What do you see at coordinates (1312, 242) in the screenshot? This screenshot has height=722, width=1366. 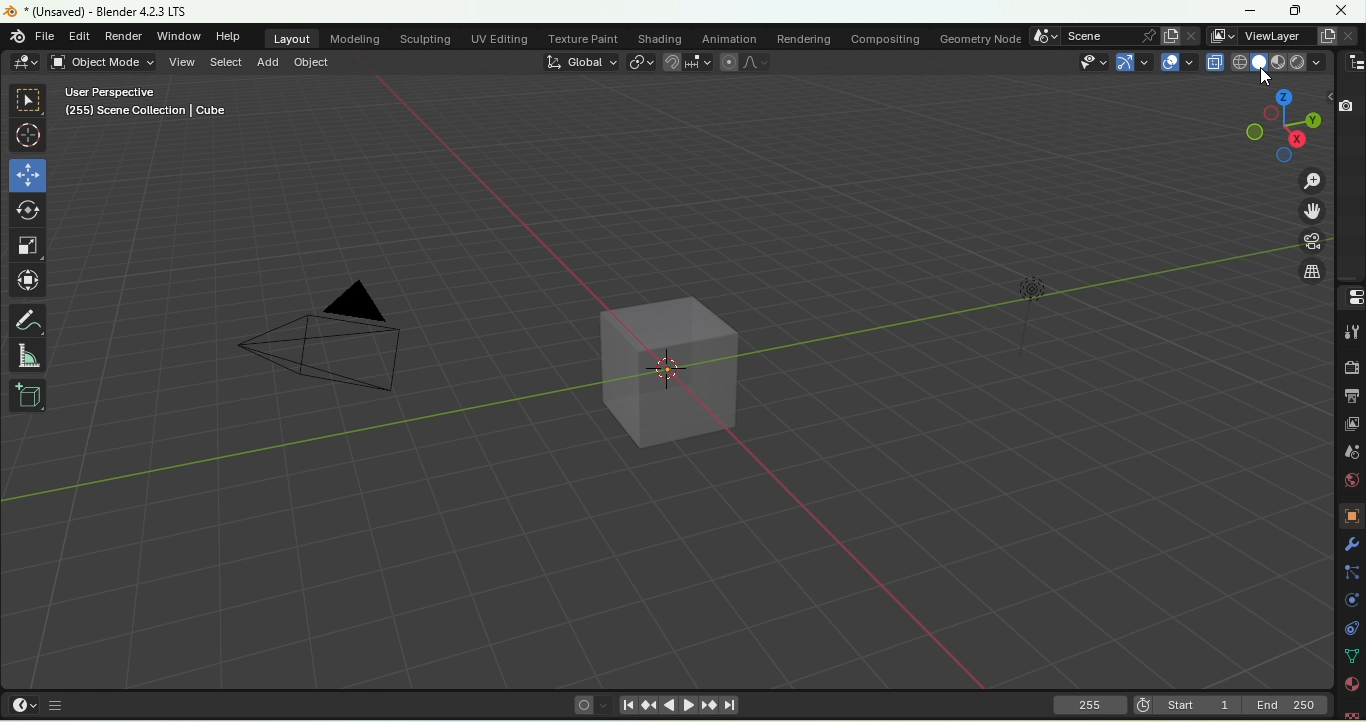 I see `Toggle the camera view` at bounding box center [1312, 242].